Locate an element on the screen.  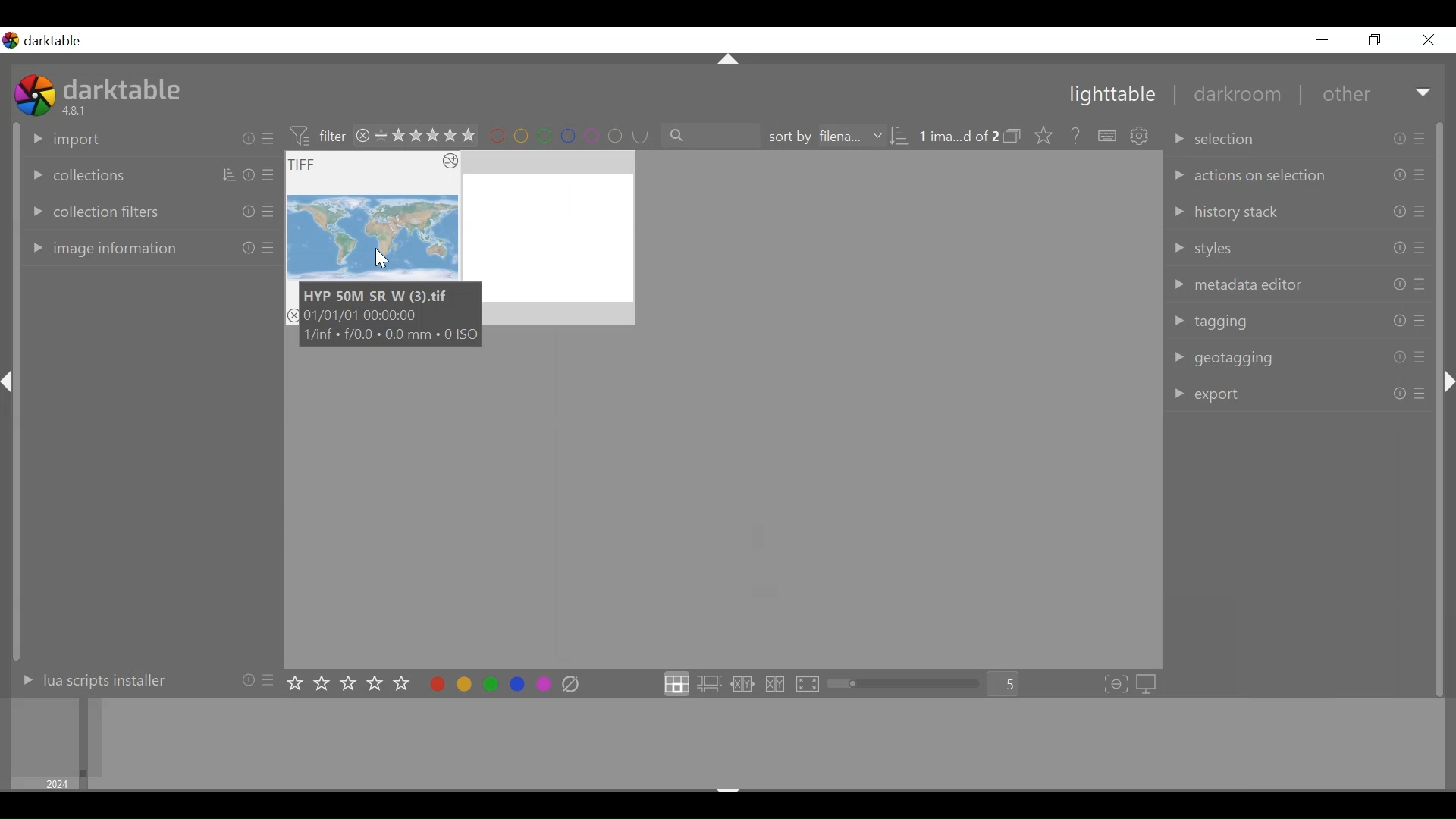
4.8.1 is located at coordinates (77, 111).